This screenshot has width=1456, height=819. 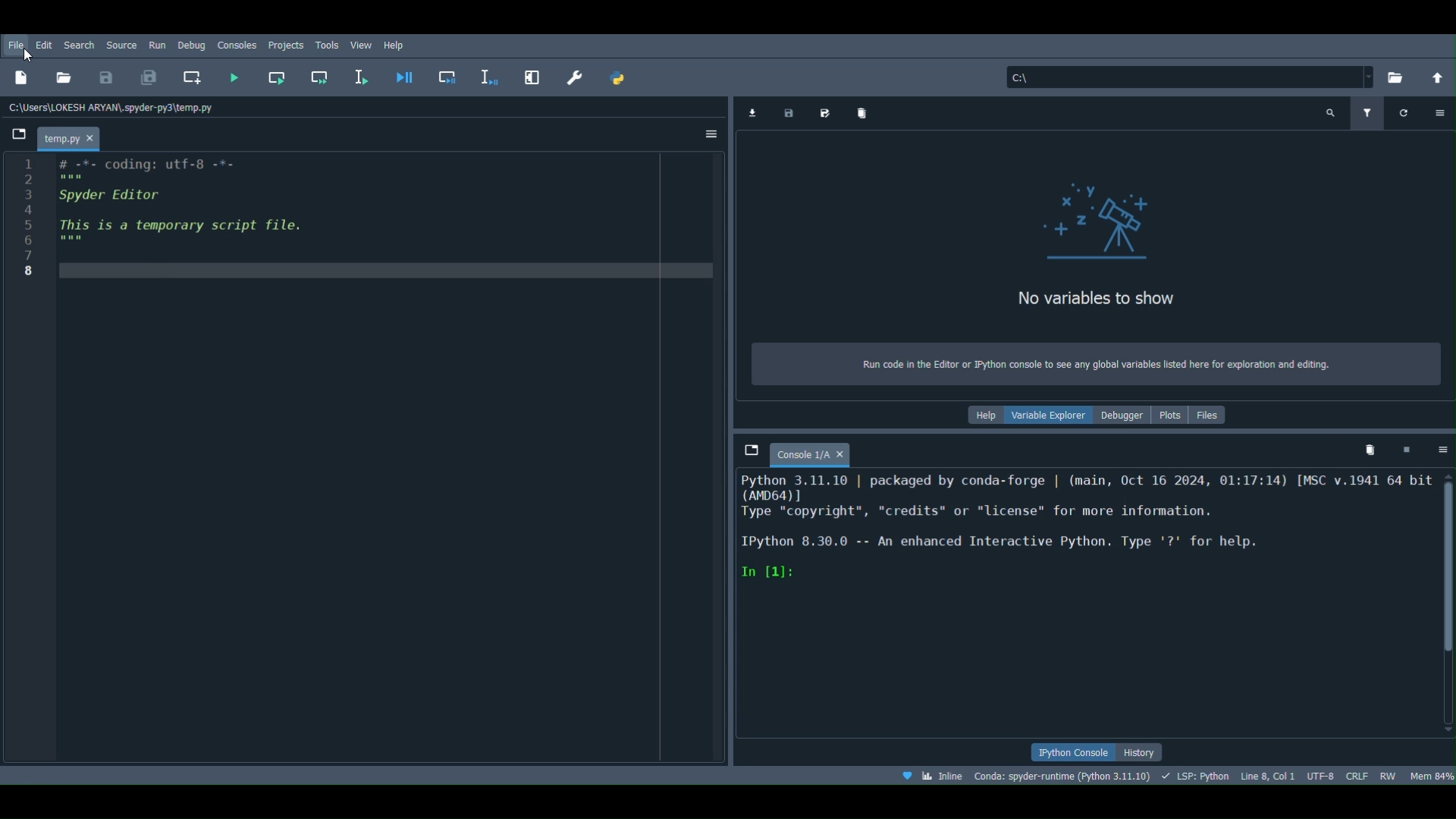 I want to click on Task, so click(x=328, y=44).